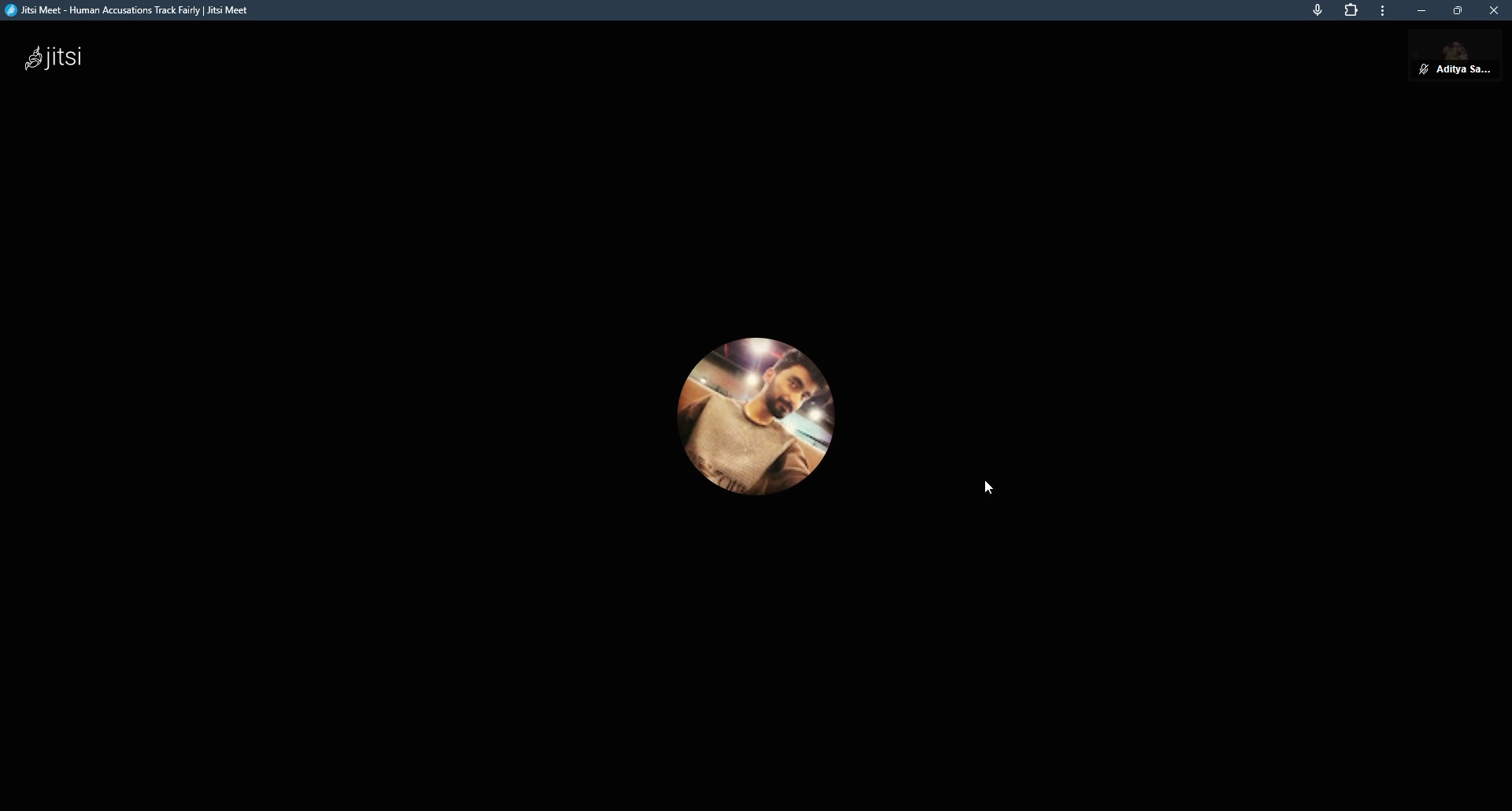  Describe the element at coordinates (753, 422) in the screenshot. I see `profile` at that location.